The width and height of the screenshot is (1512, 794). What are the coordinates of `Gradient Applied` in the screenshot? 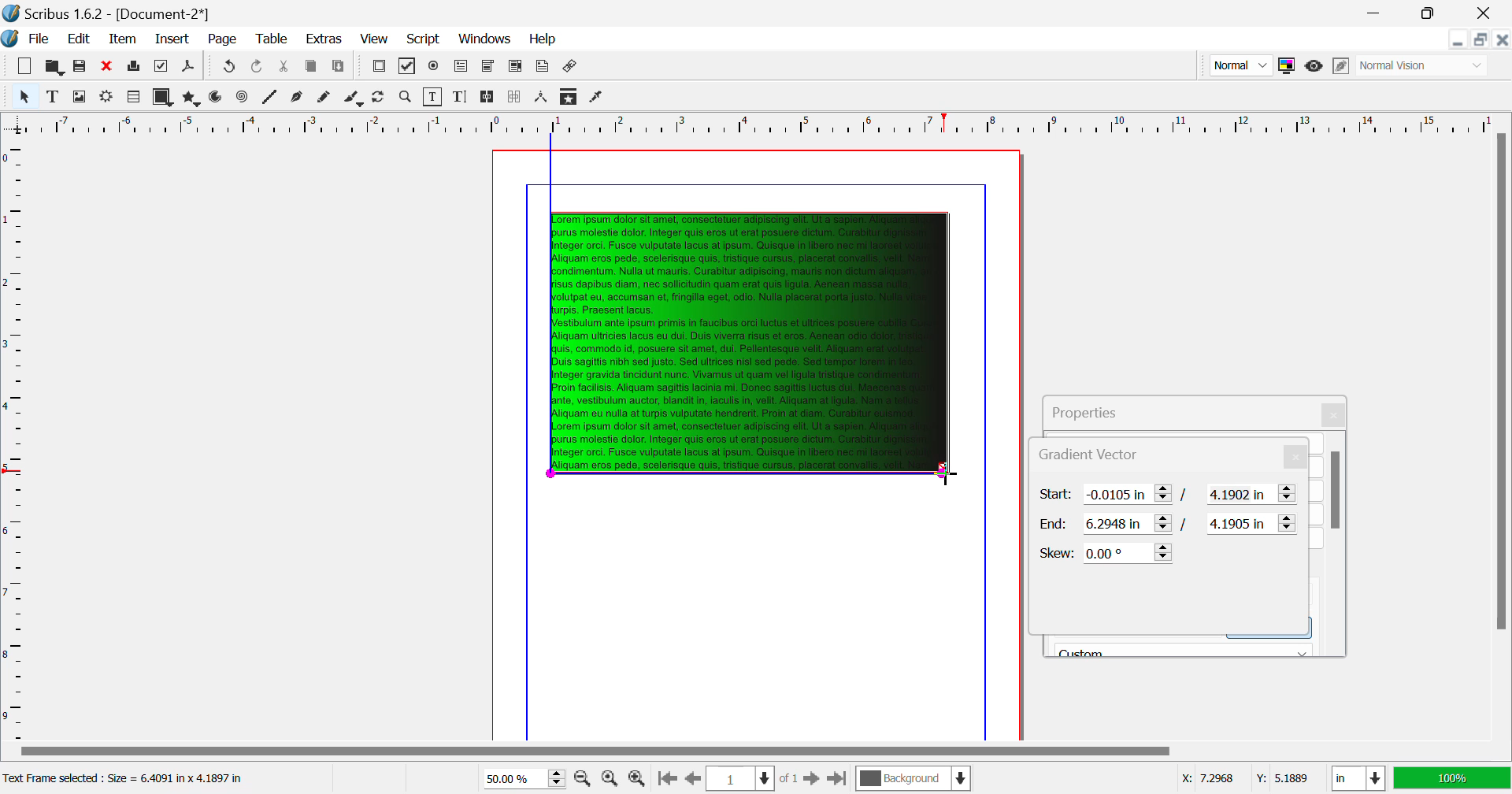 It's located at (753, 344).